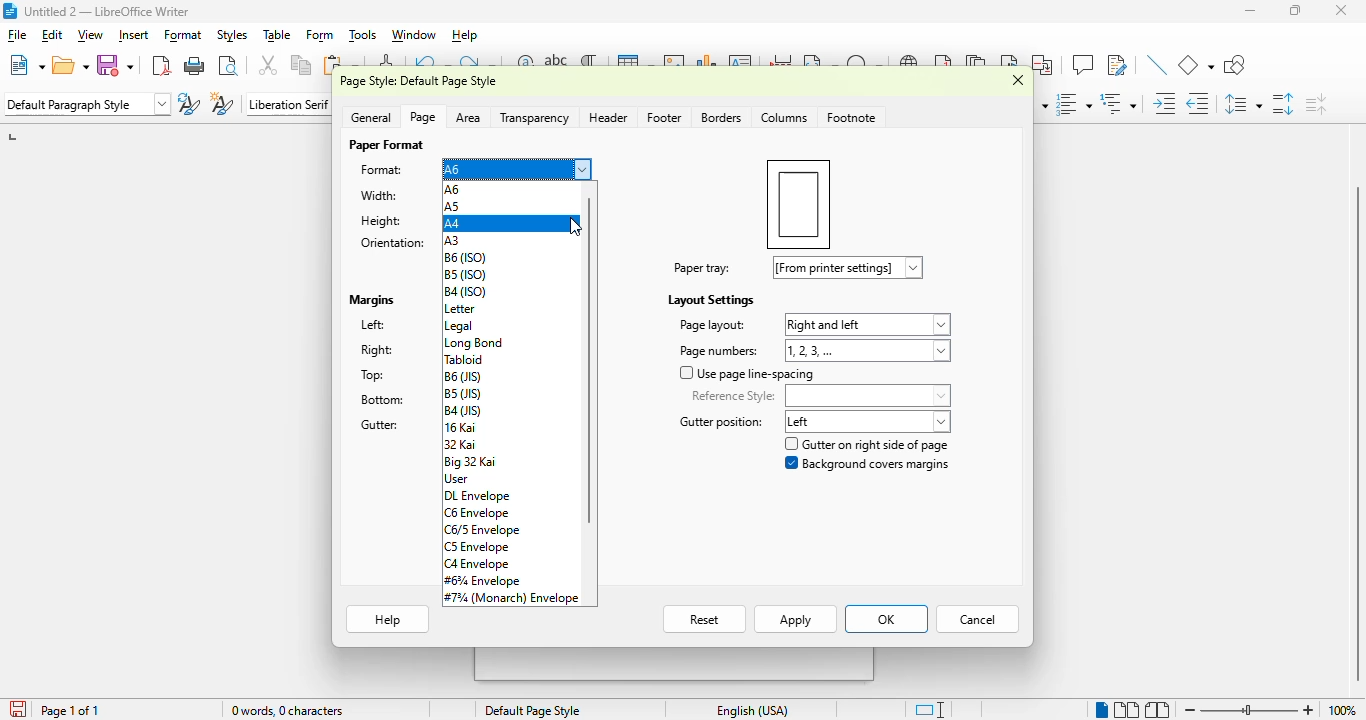 The height and width of the screenshot is (720, 1366). I want to click on cursor, so click(575, 227).